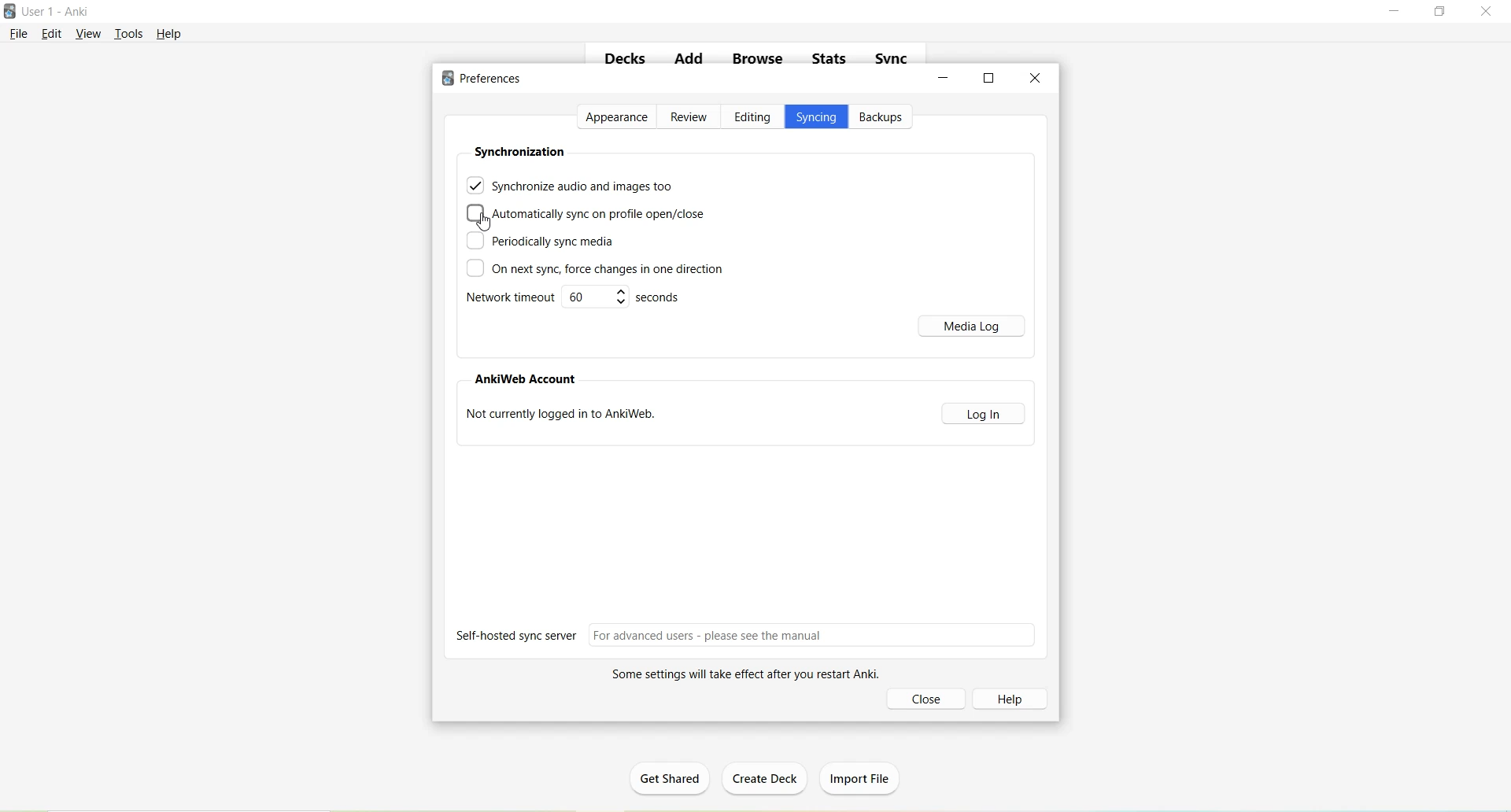 This screenshot has height=812, width=1511. What do you see at coordinates (58, 13) in the screenshot?
I see `User 1 - Anki` at bounding box center [58, 13].